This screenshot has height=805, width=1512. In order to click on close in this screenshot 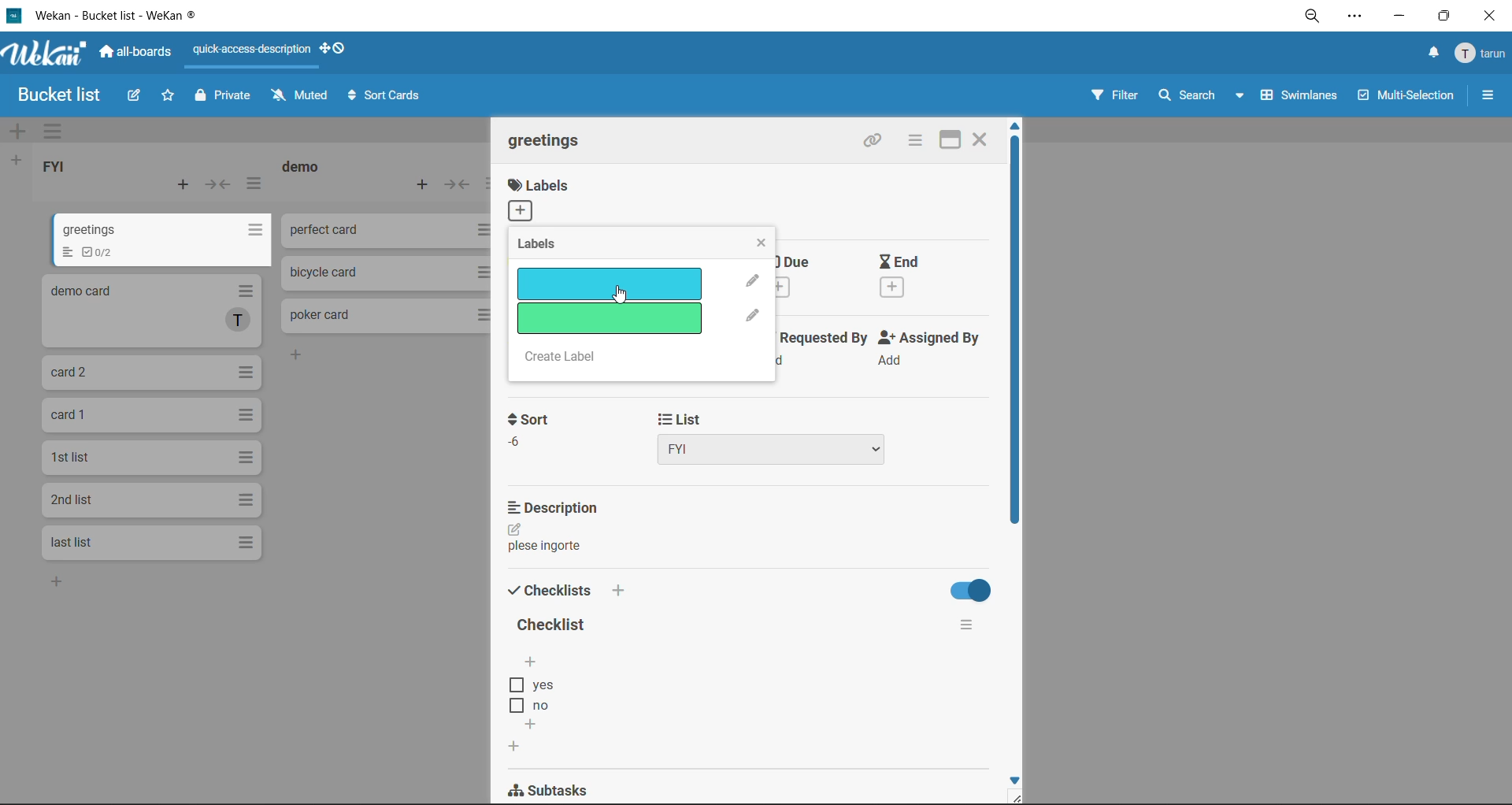, I will do `click(984, 139)`.